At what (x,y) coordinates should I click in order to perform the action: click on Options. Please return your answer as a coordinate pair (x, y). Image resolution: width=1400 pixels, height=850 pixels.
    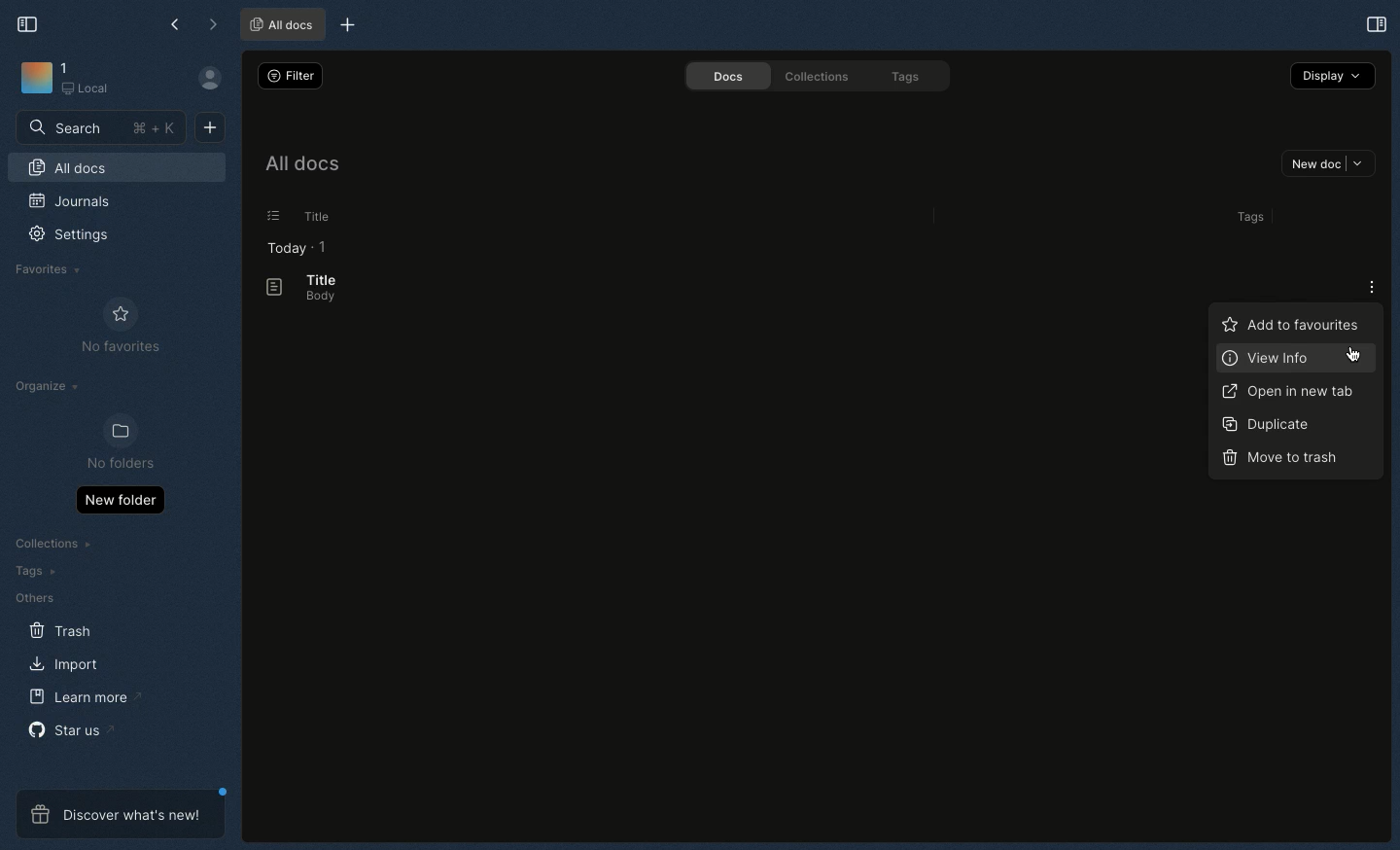
    Looking at the image, I should click on (1372, 287).